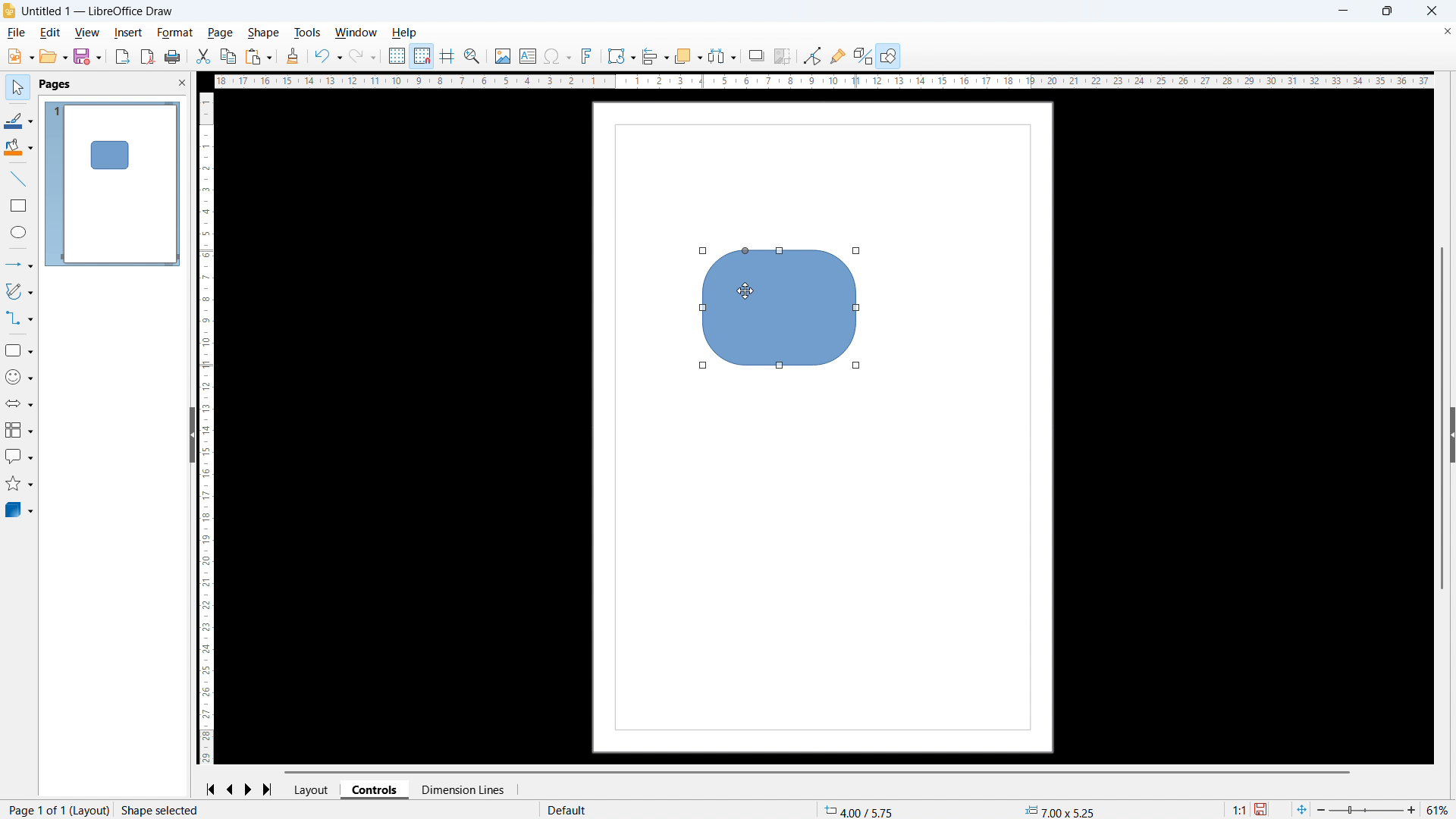 This screenshot has width=1456, height=819. What do you see at coordinates (528, 55) in the screenshot?
I see `Insert text box ` at bounding box center [528, 55].